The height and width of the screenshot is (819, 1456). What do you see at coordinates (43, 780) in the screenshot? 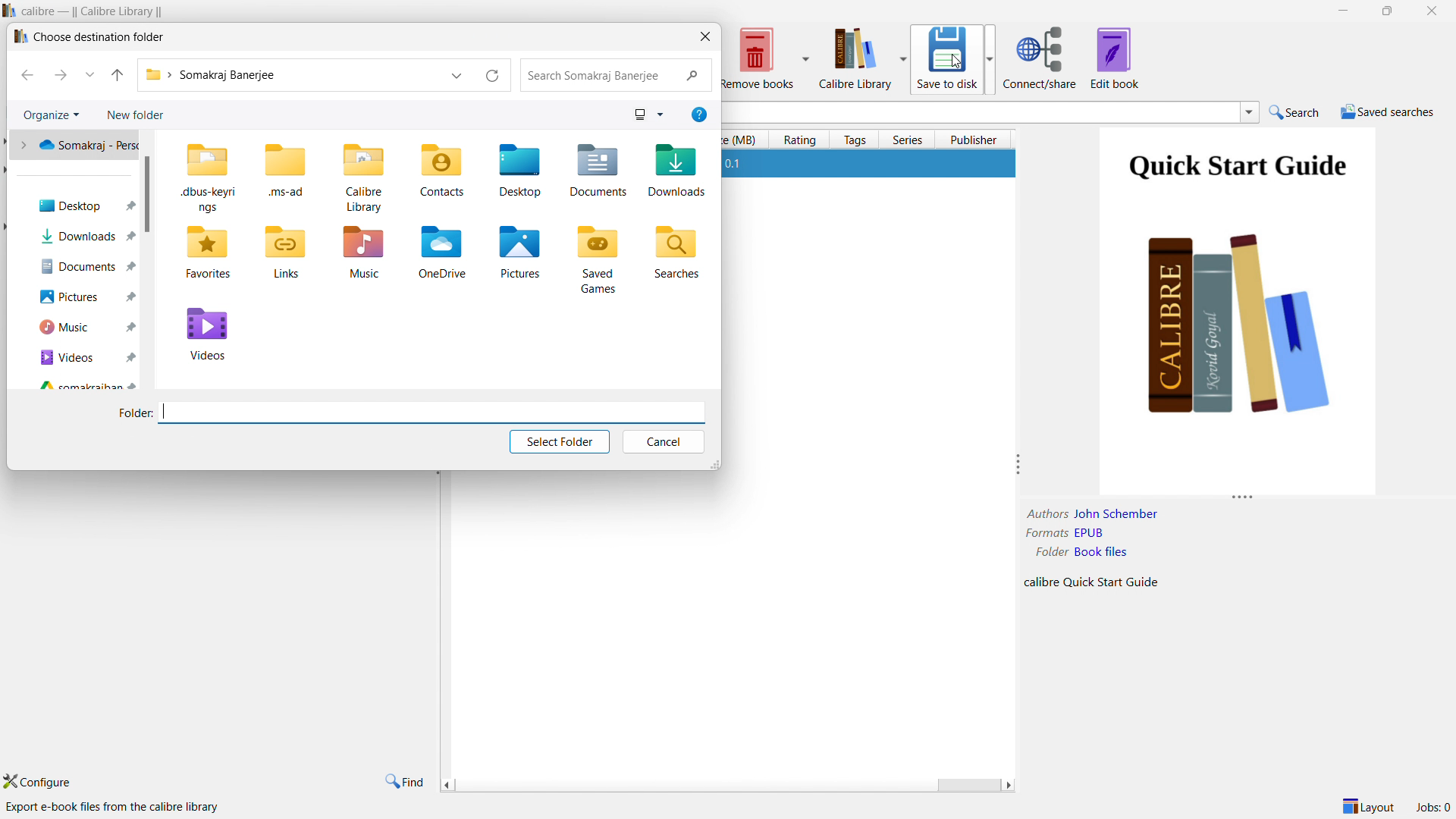
I see `configure` at bounding box center [43, 780].